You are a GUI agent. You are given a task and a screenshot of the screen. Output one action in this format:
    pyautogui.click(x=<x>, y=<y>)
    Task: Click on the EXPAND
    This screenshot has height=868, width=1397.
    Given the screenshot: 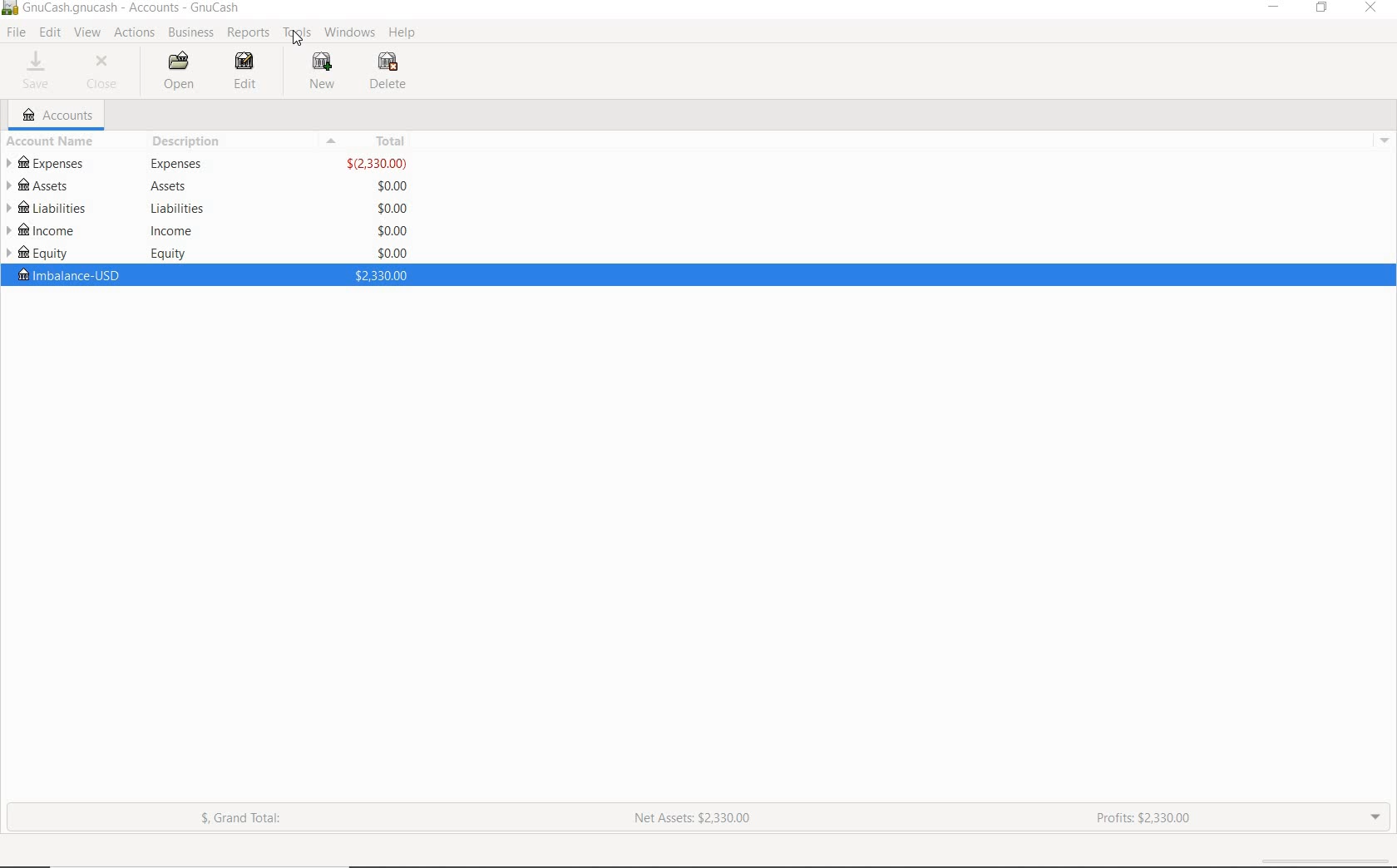 What is the action you would take?
    pyautogui.click(x=1376, y=821)
    